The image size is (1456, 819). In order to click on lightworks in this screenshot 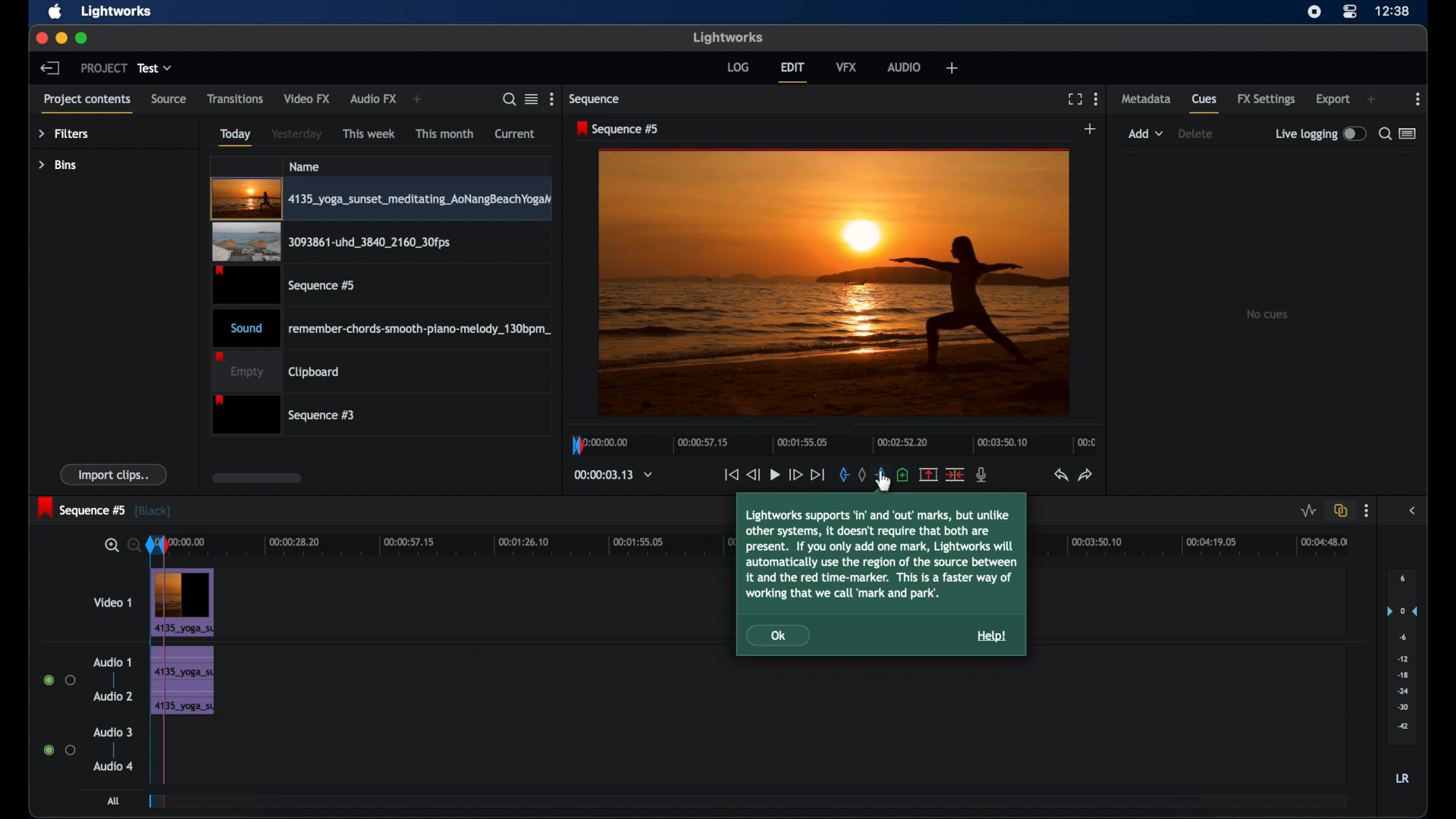, I will do `click(728, 37)`.